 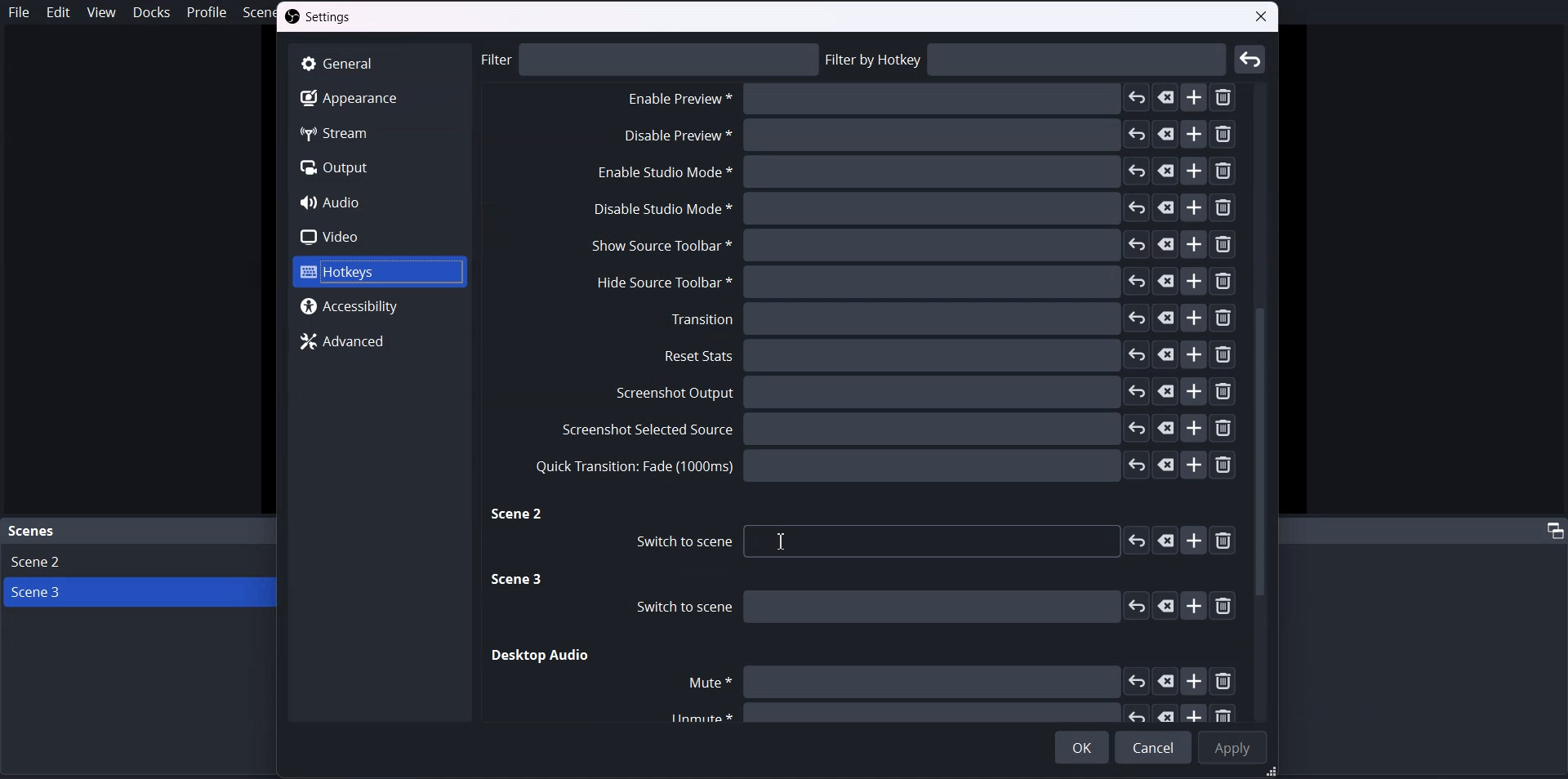 What do you see at coordinates (1263, 19) in the screenshot?
I see `close` at bounding box center [1263, 19].